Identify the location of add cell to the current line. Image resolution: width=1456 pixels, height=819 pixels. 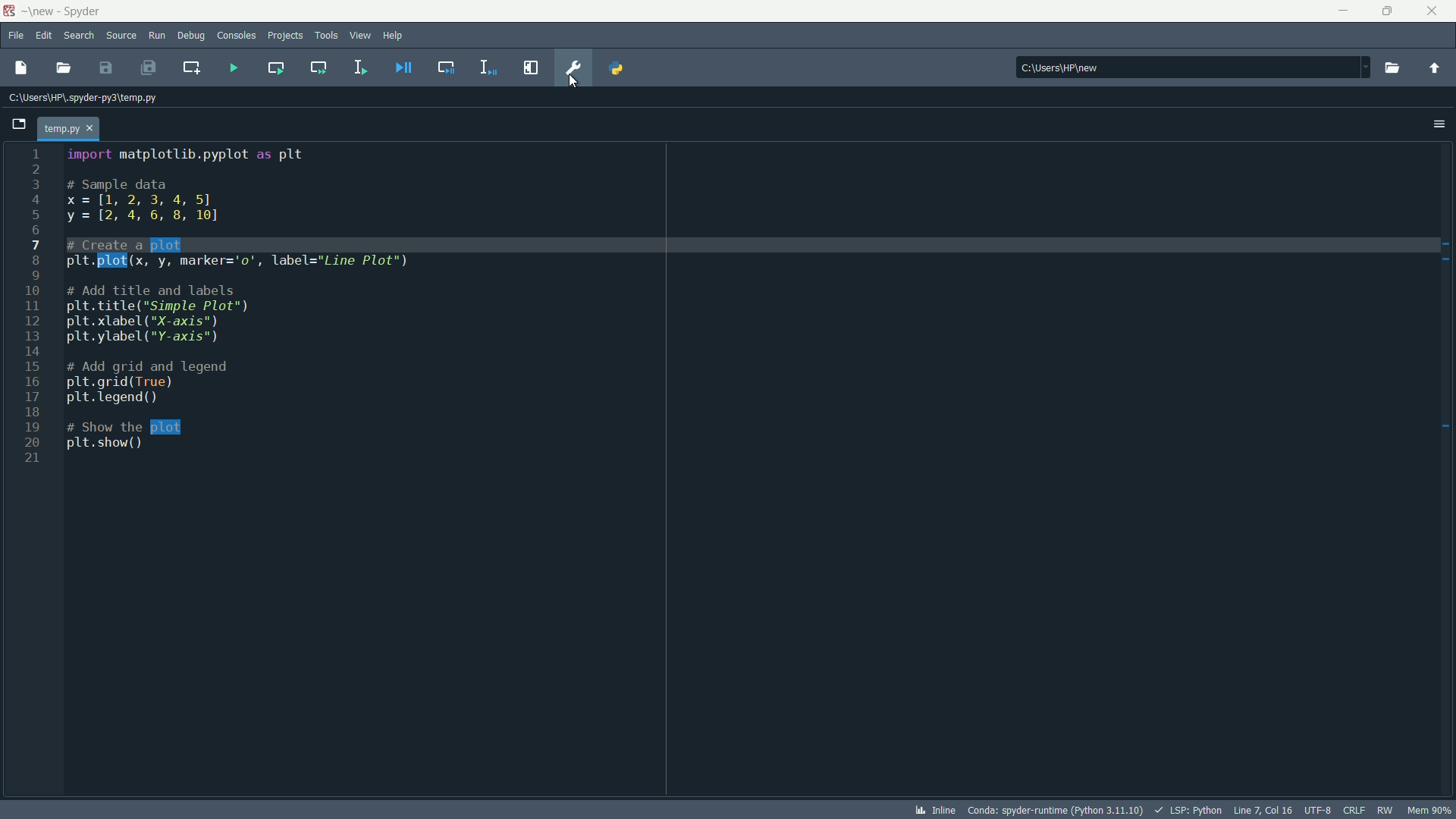
(190, 67).